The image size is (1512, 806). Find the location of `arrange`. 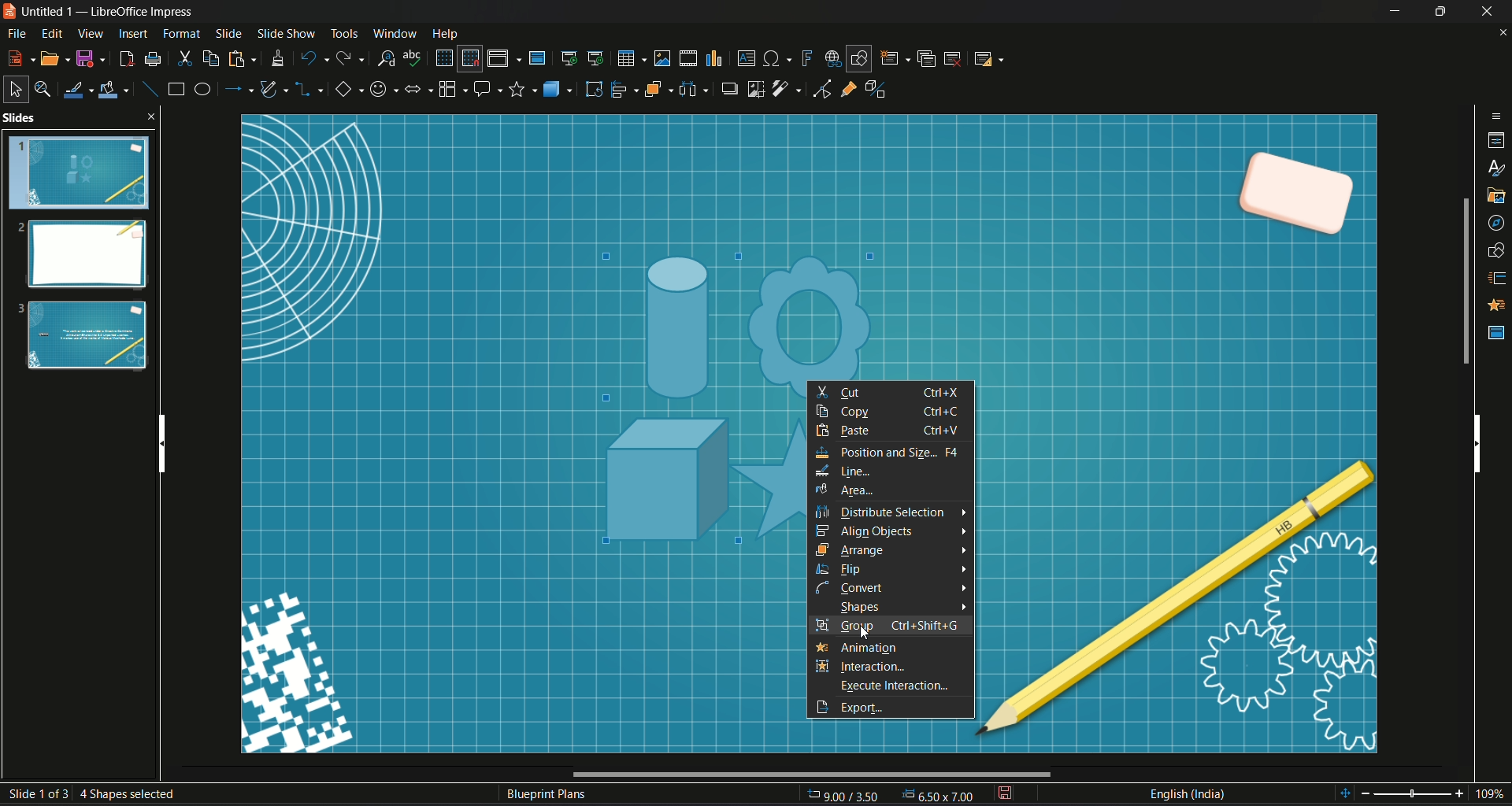

arrange is located at coordinates (658, 90).